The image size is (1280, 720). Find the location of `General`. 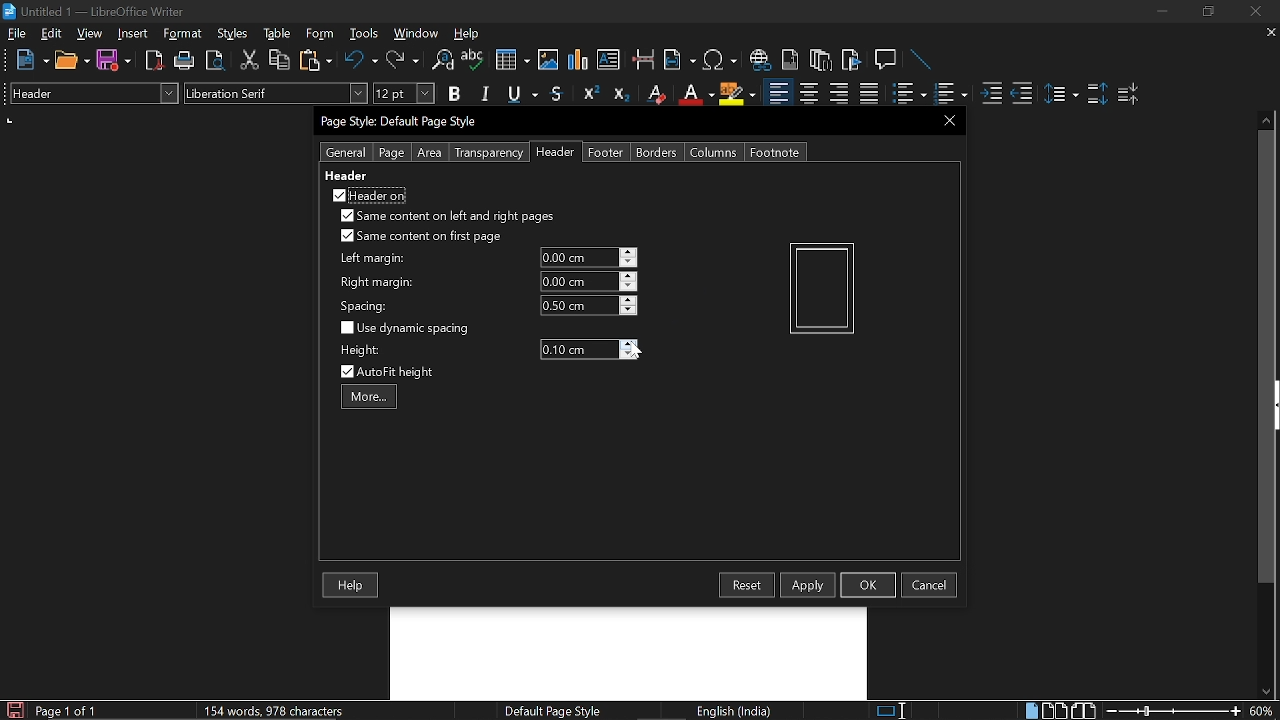

General is located at coordinates (347, 152).